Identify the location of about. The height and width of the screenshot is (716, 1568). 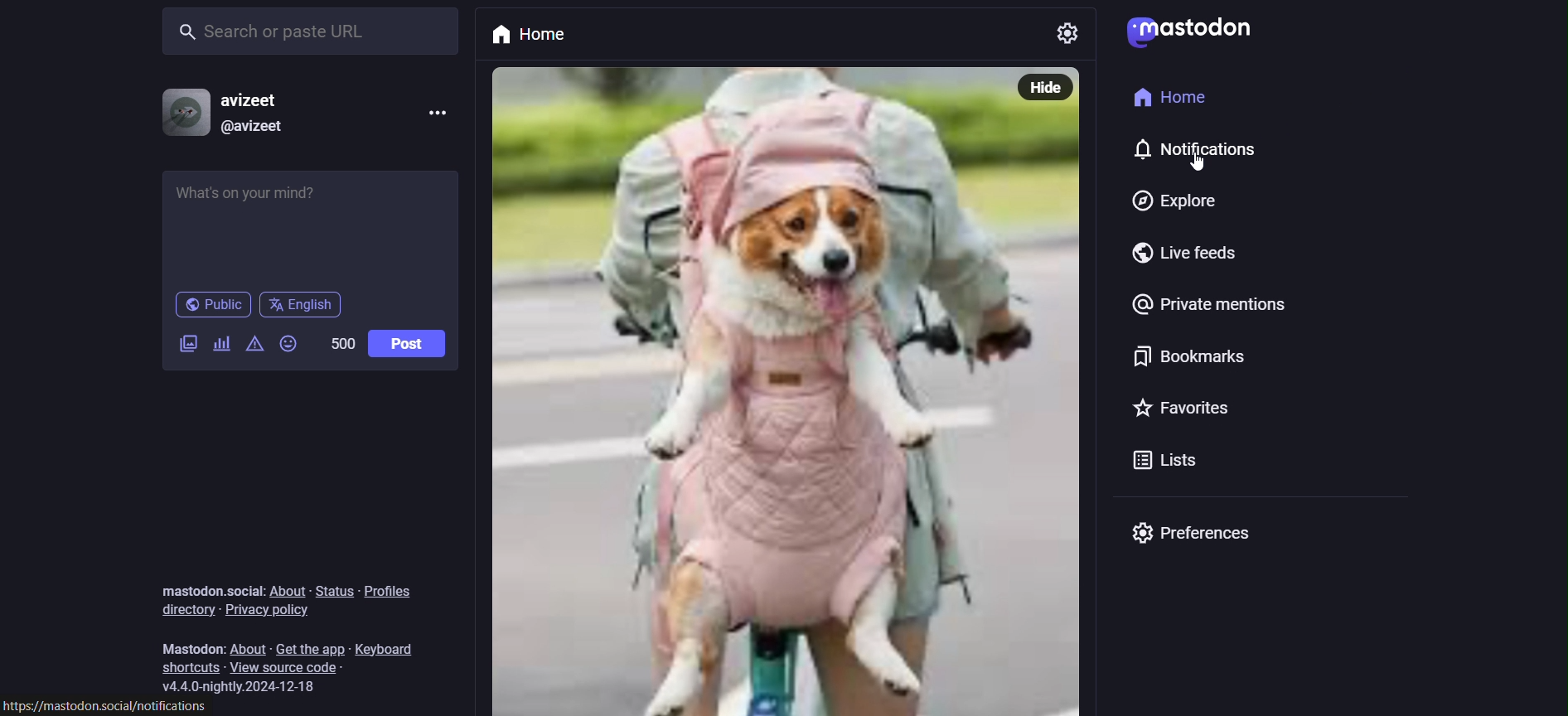
(249, 647).